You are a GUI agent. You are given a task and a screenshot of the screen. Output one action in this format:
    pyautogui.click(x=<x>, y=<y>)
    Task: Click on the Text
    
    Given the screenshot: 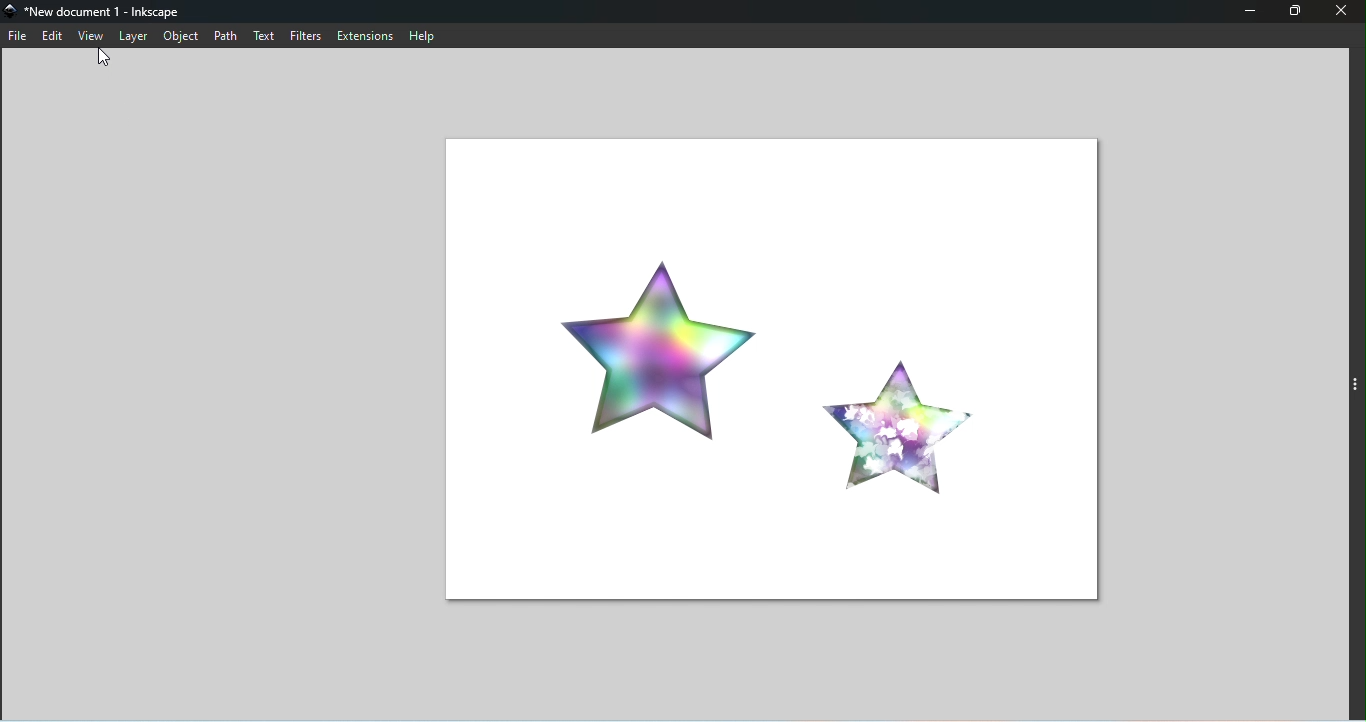 What is the action you would take?
    pyautogui.click(x=263, y=36)
    